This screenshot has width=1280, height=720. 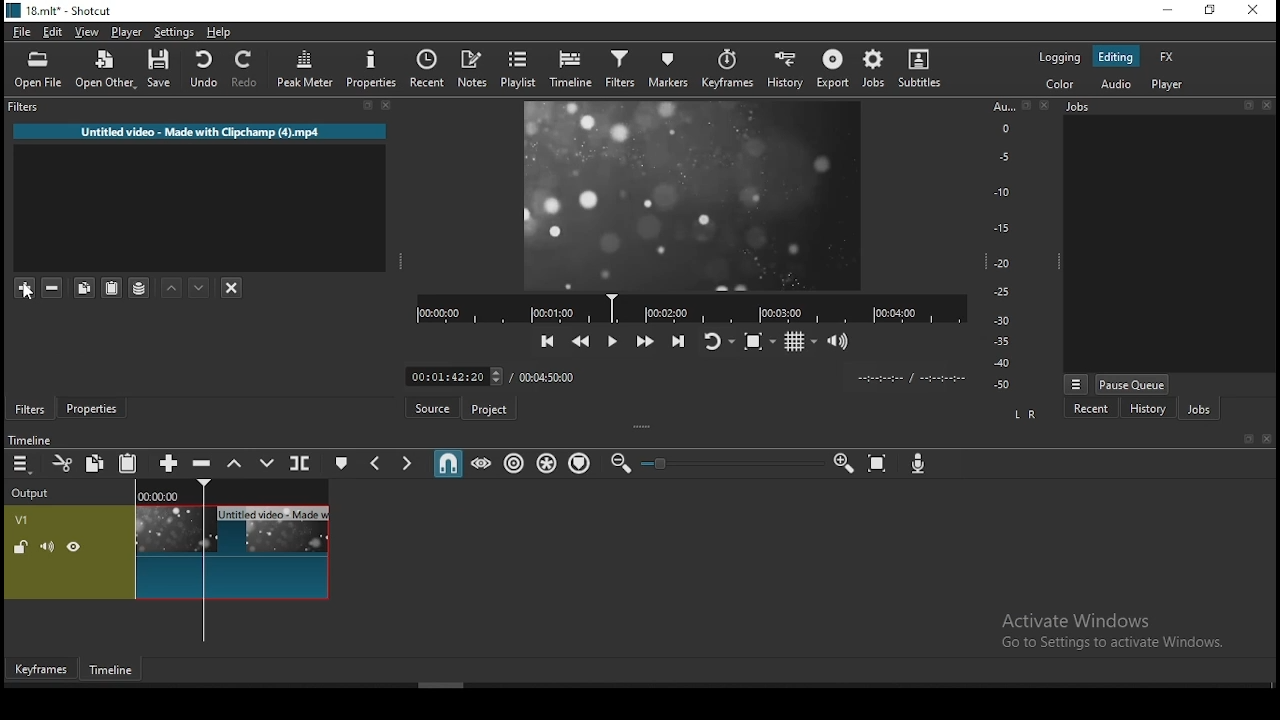 I want to click on playlist, so click(x=519, y=68).